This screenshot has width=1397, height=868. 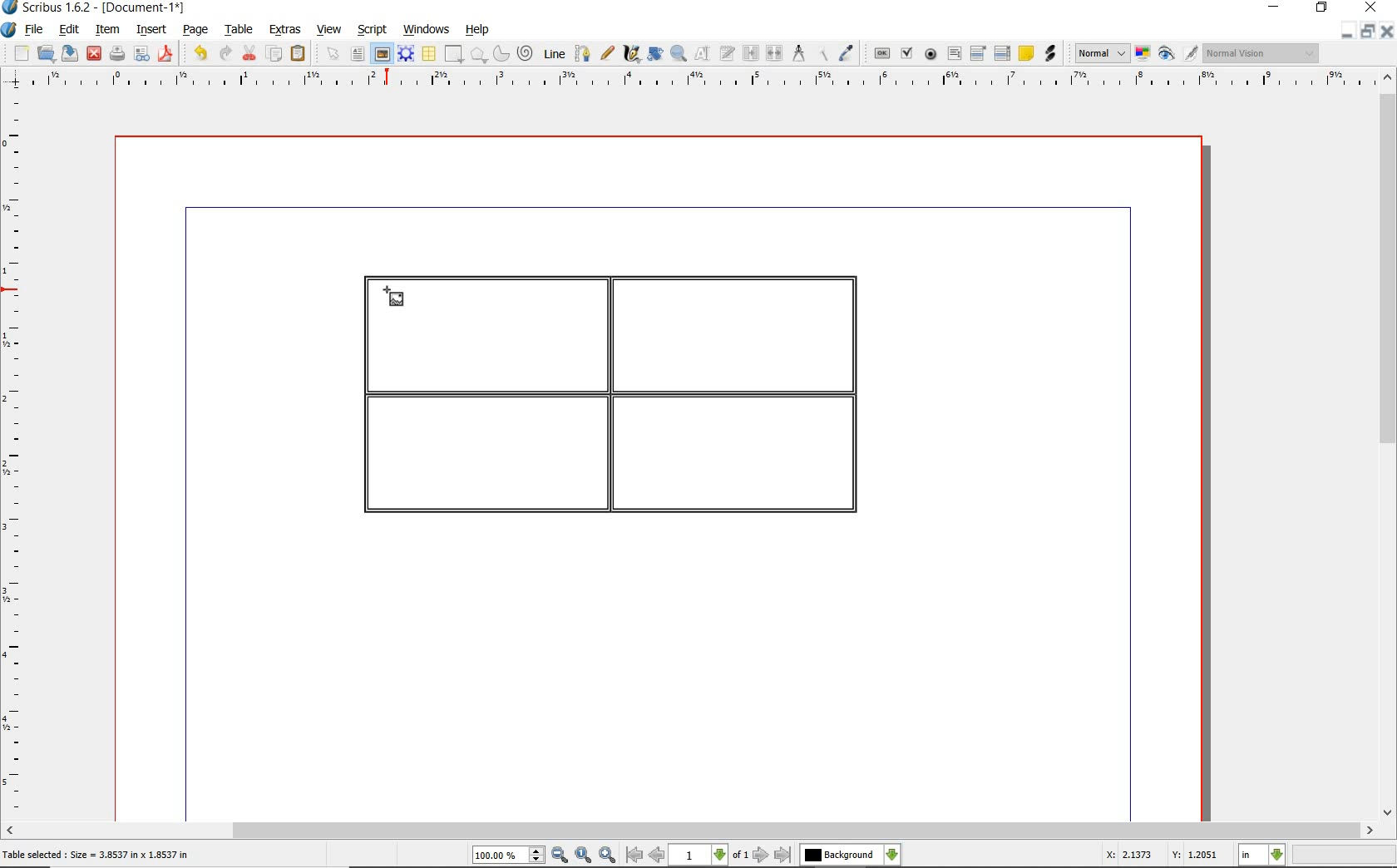 I want to click on table, so click(x=240, y=31).